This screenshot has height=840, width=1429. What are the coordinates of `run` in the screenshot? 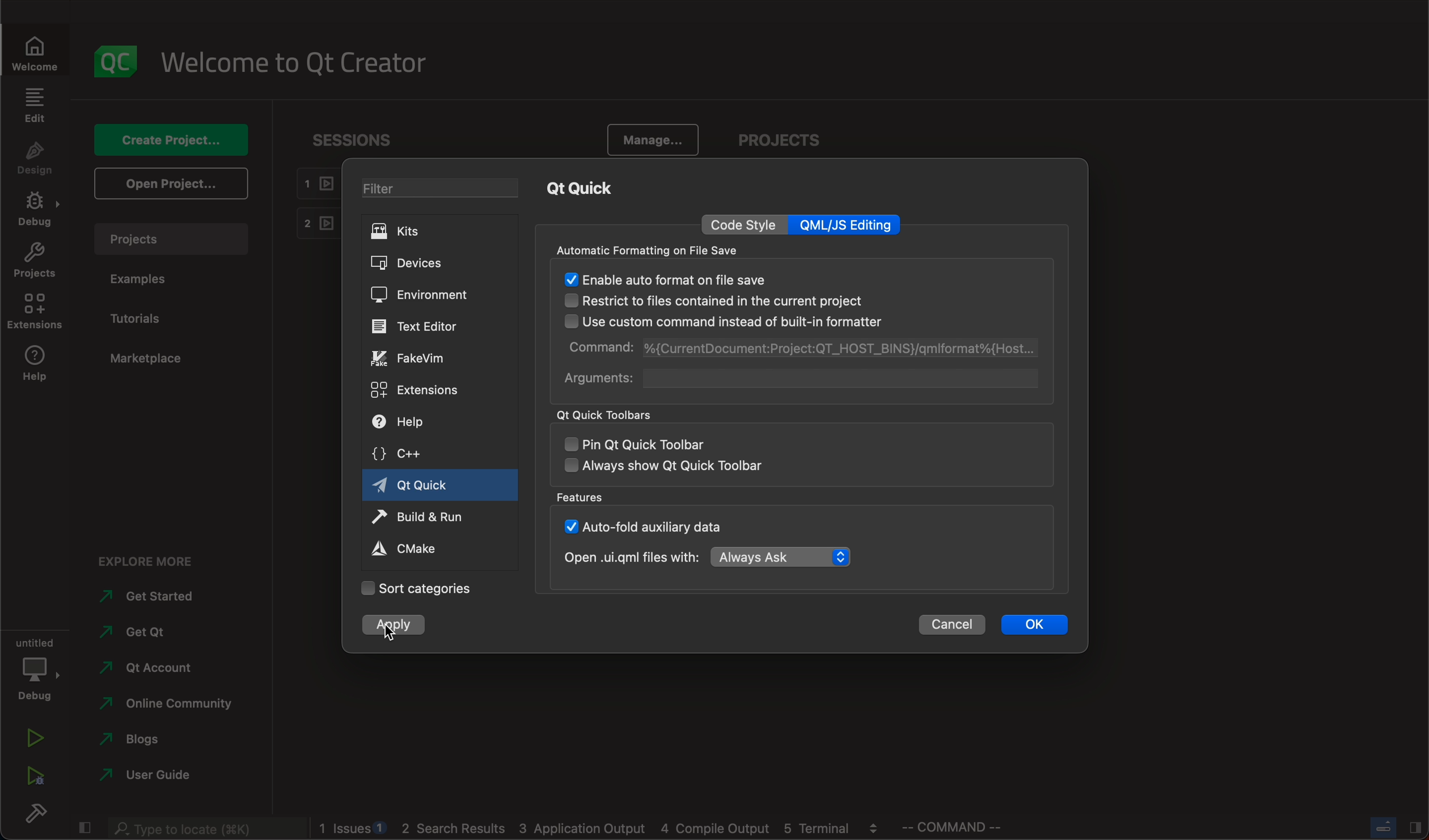 It's located at (418, 519).